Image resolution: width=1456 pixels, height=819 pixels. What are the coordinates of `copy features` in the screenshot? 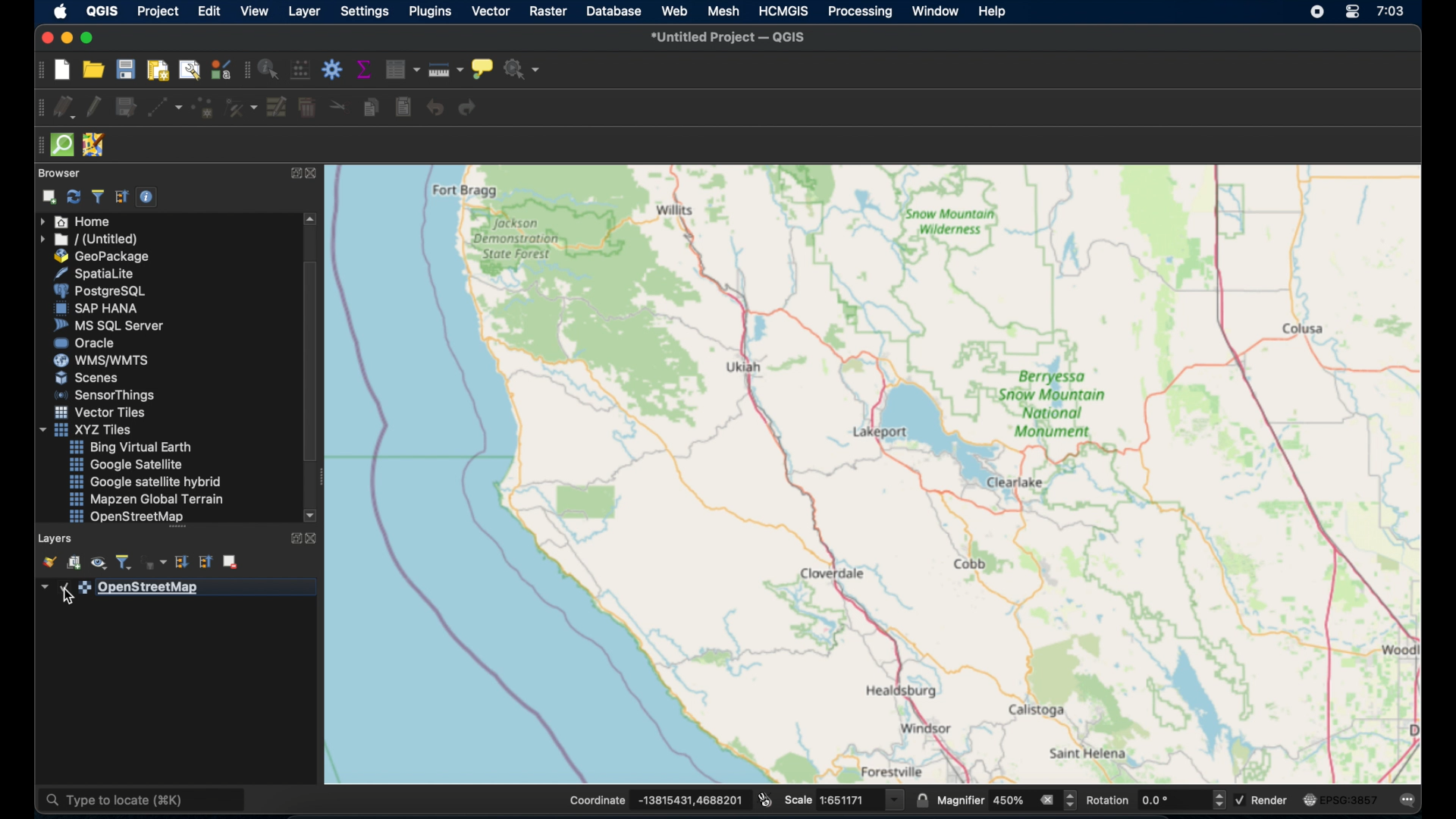 It's located at (373, 108).